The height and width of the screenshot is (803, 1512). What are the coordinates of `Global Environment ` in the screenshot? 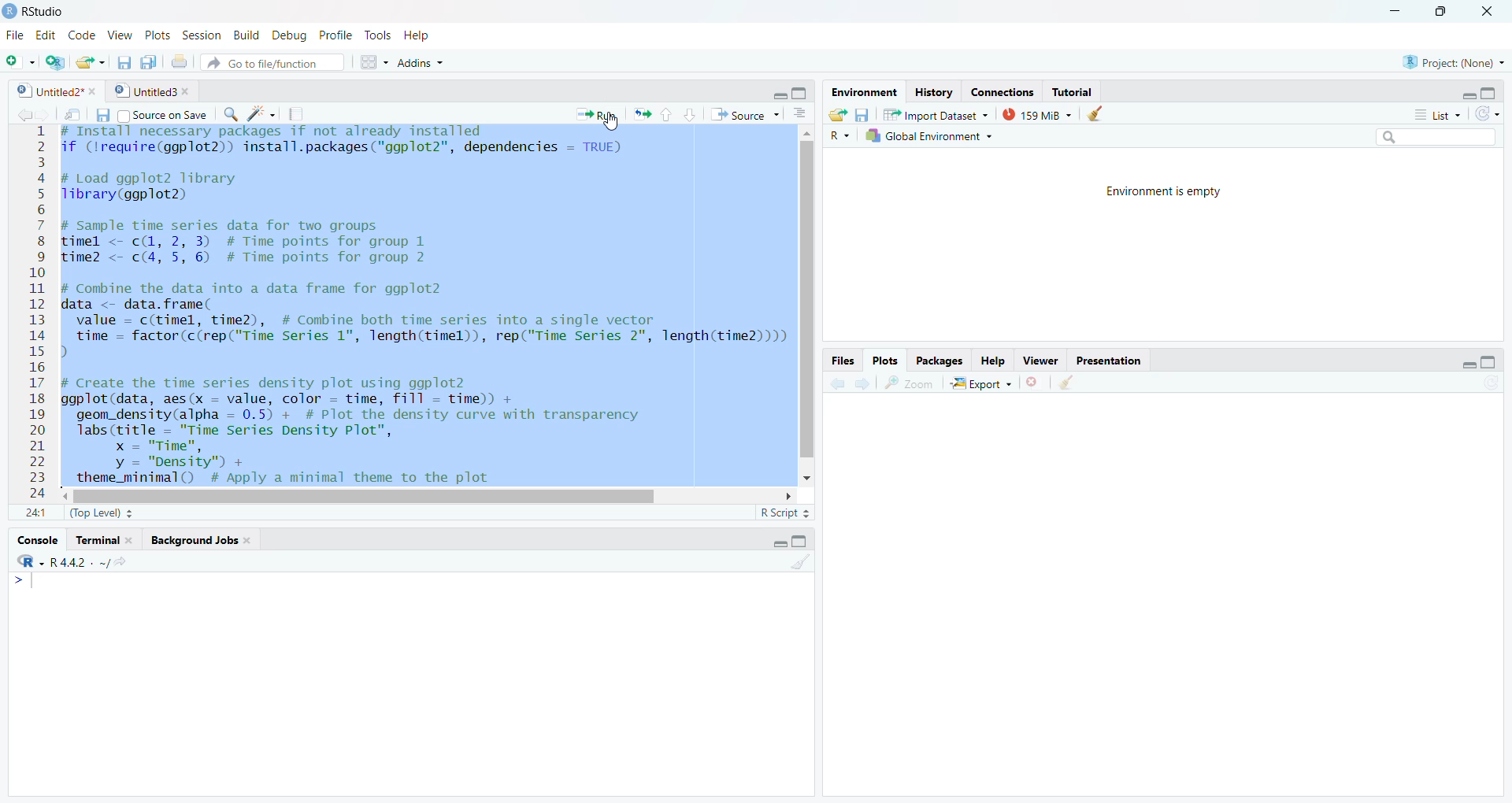 It's located at (930, 136).